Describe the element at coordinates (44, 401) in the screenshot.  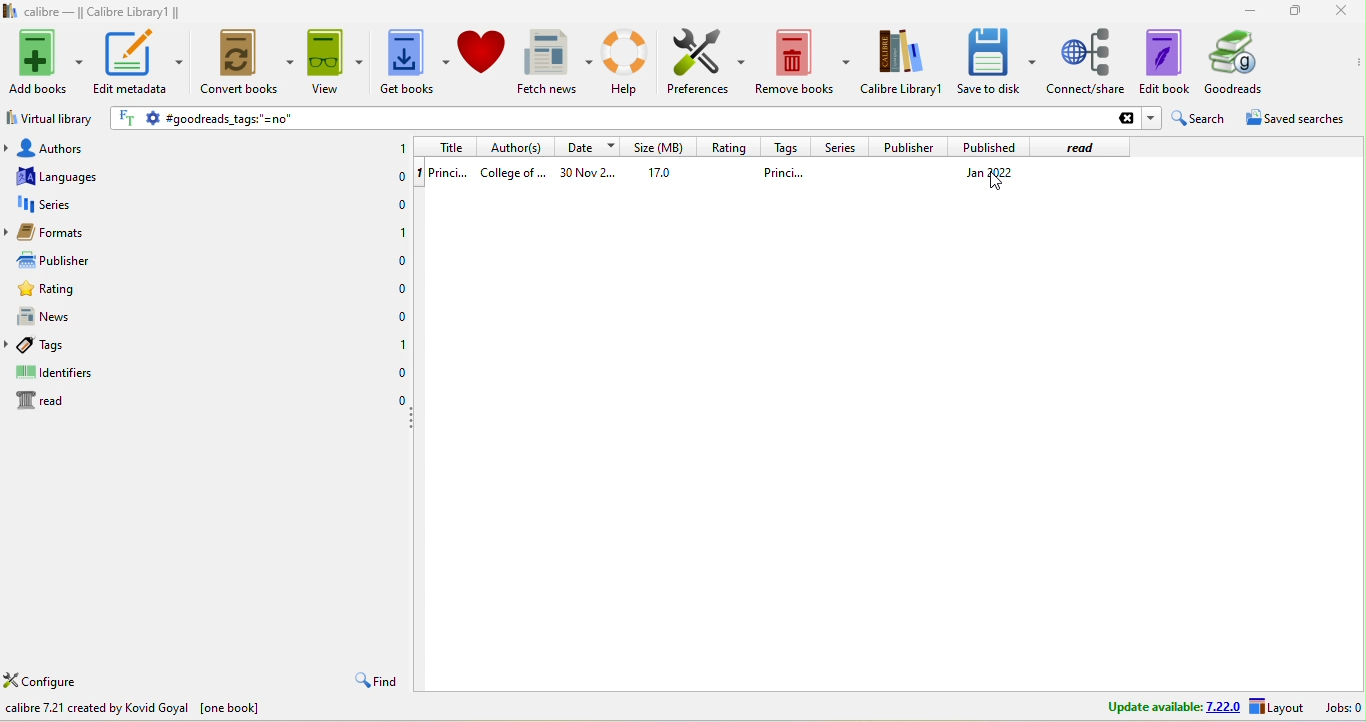
I see `read` at that location.